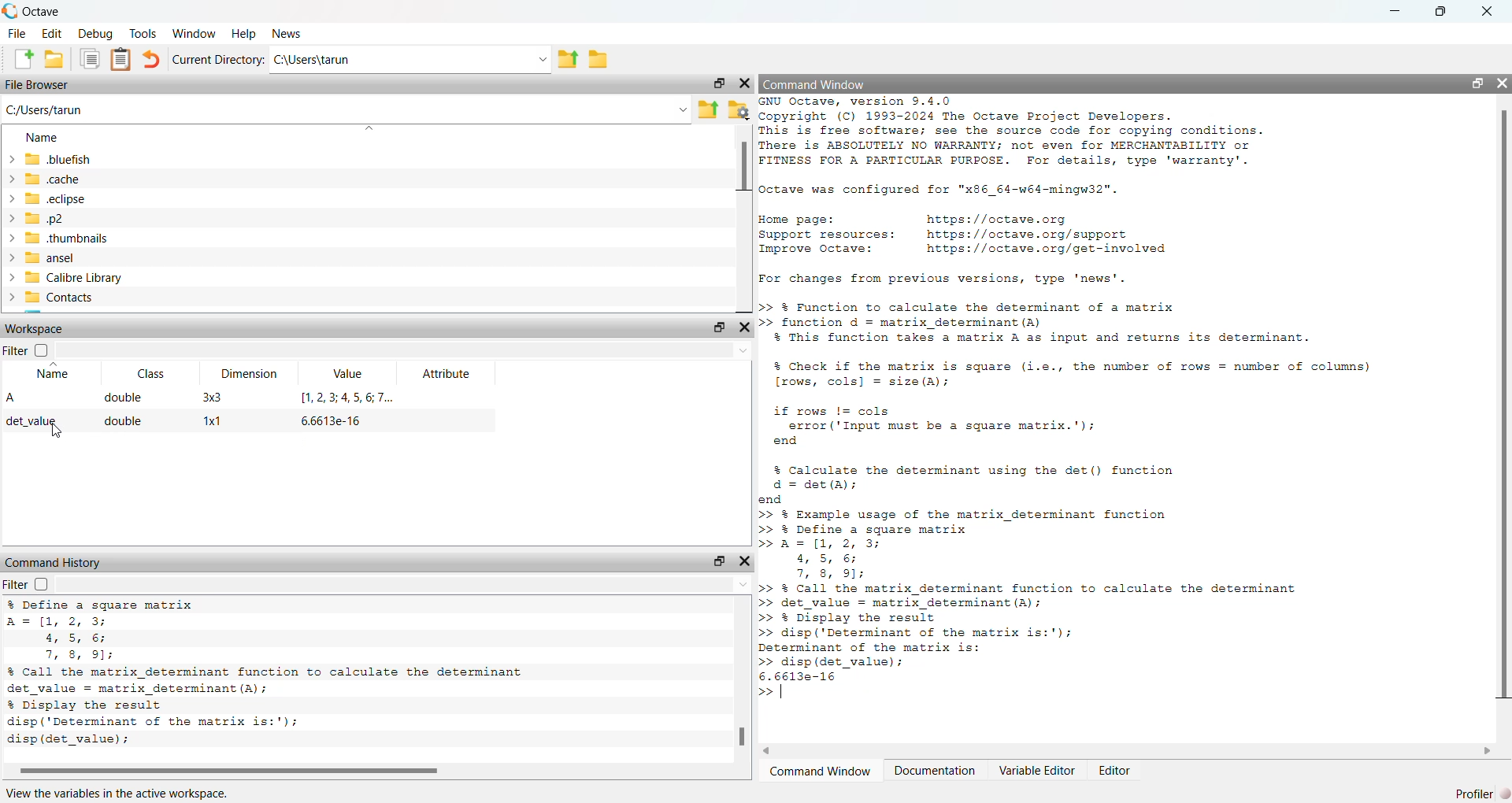 Image resolution: width=1512 pixels, height=803 pixels. What do you see at coordinates (40, 585) in the screenshot?
I see `off` at bounding box center [40, 585].